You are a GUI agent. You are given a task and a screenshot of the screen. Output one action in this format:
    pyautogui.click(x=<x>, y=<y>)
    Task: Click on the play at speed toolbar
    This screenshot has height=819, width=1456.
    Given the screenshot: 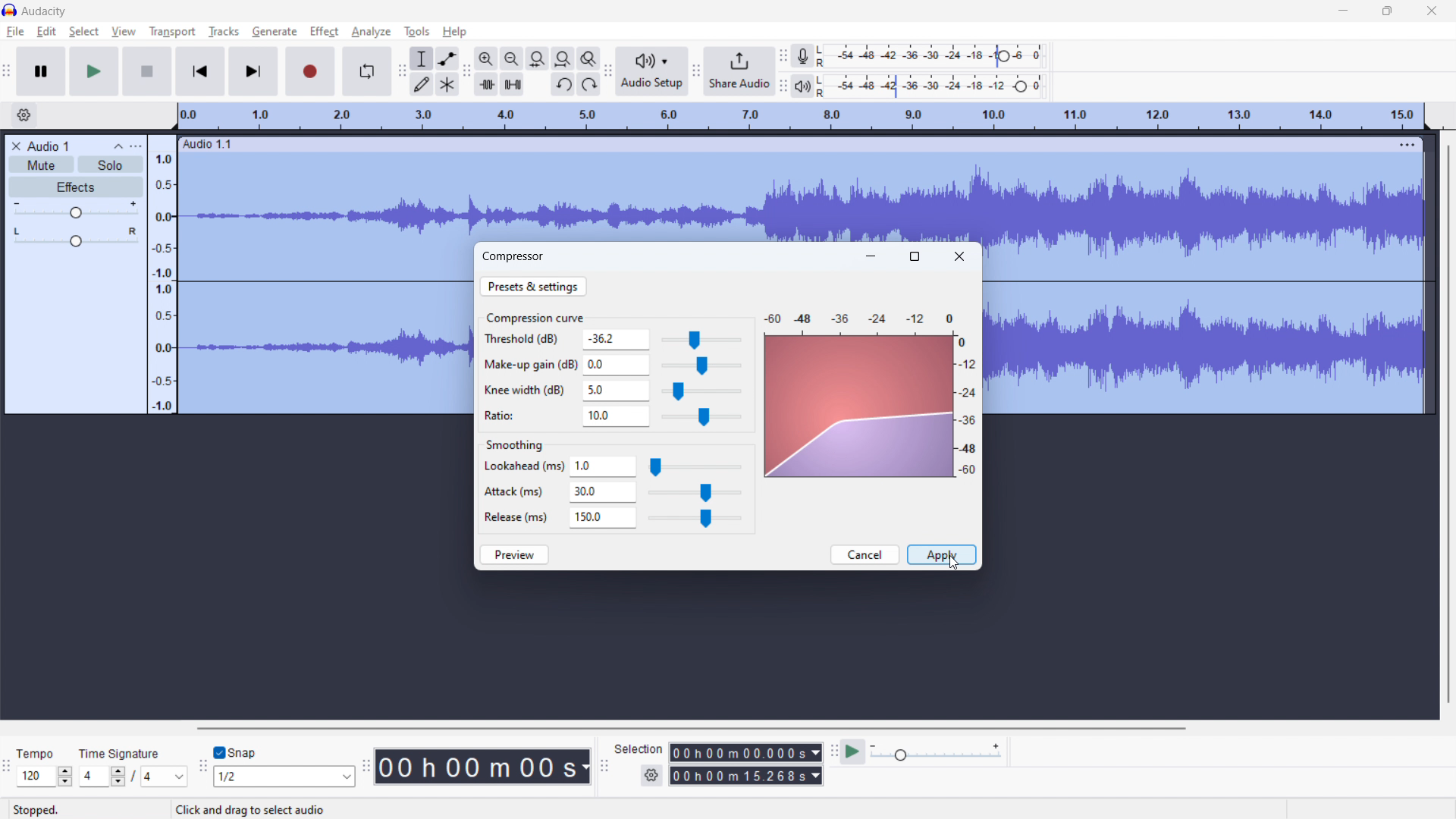 What is the action you would take?
    pyautogui.click(x=833, y=752)
    